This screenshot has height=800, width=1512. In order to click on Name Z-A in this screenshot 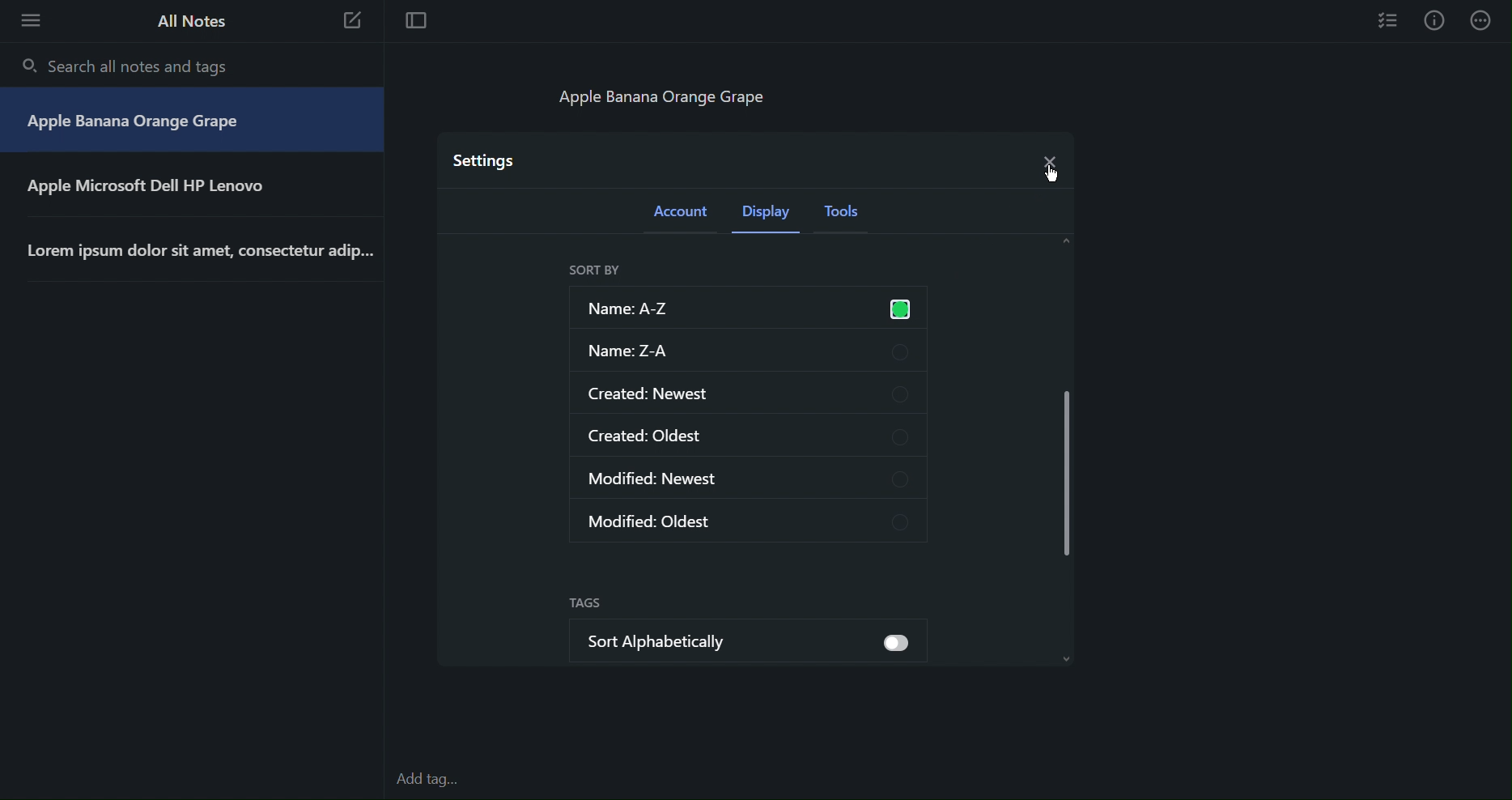, I will do `click(747, 351)`.